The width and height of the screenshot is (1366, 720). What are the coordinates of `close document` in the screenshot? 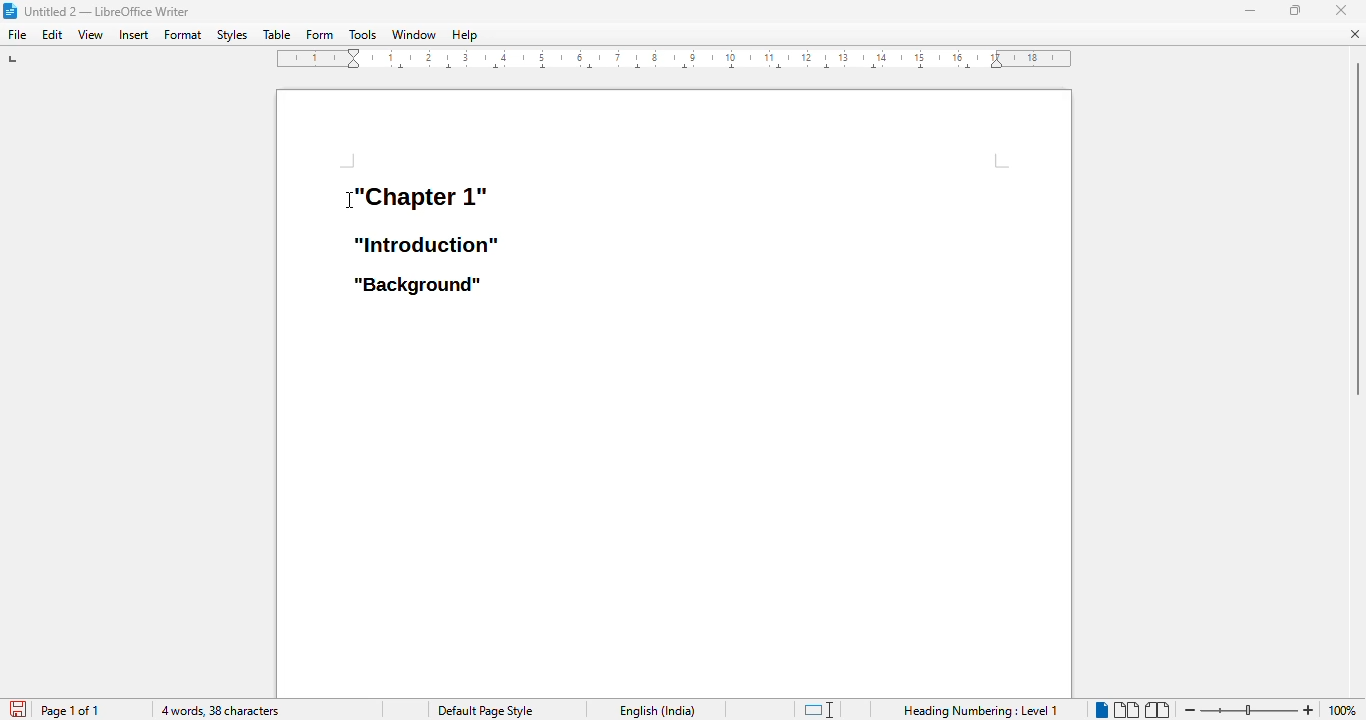 It's located at (1354, 34).